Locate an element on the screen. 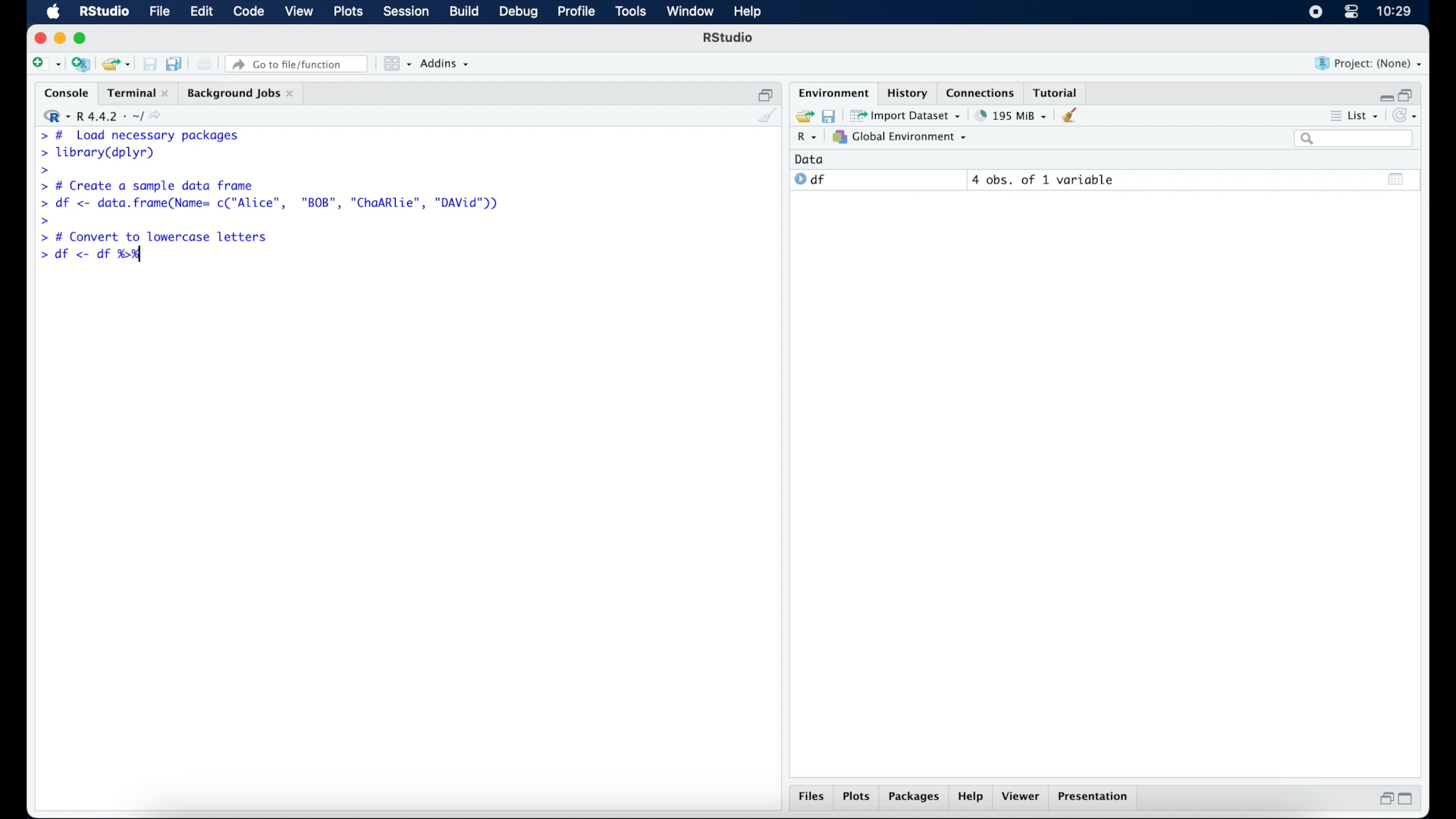 This screenshot has height=819, width=1456. load workspace is located at coordinates (802, 115).